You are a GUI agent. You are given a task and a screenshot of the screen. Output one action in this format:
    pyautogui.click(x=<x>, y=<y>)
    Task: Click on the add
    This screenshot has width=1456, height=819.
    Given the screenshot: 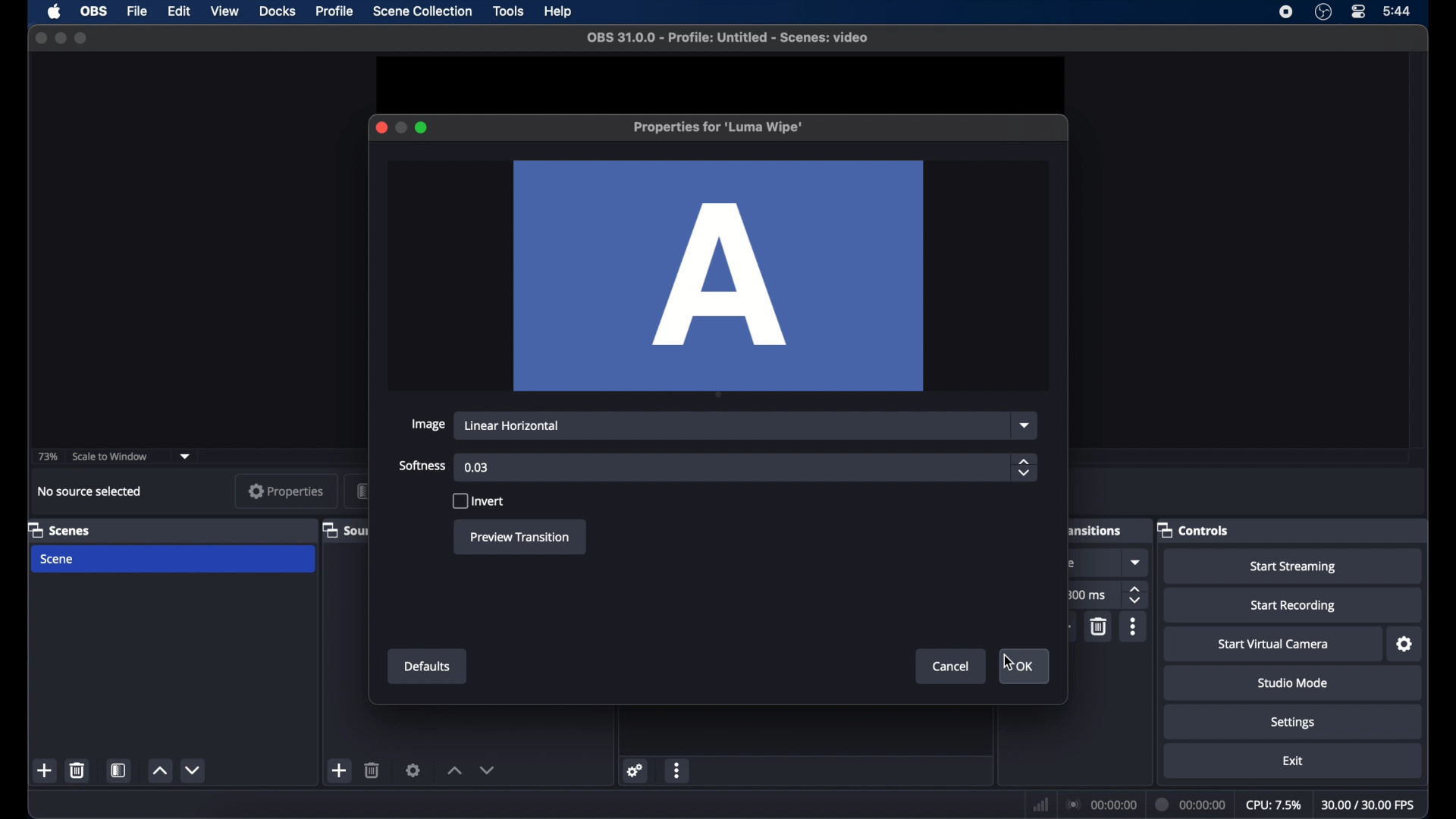 What is the action you would take?
    pyautogui.click(x=340, y=770)
    